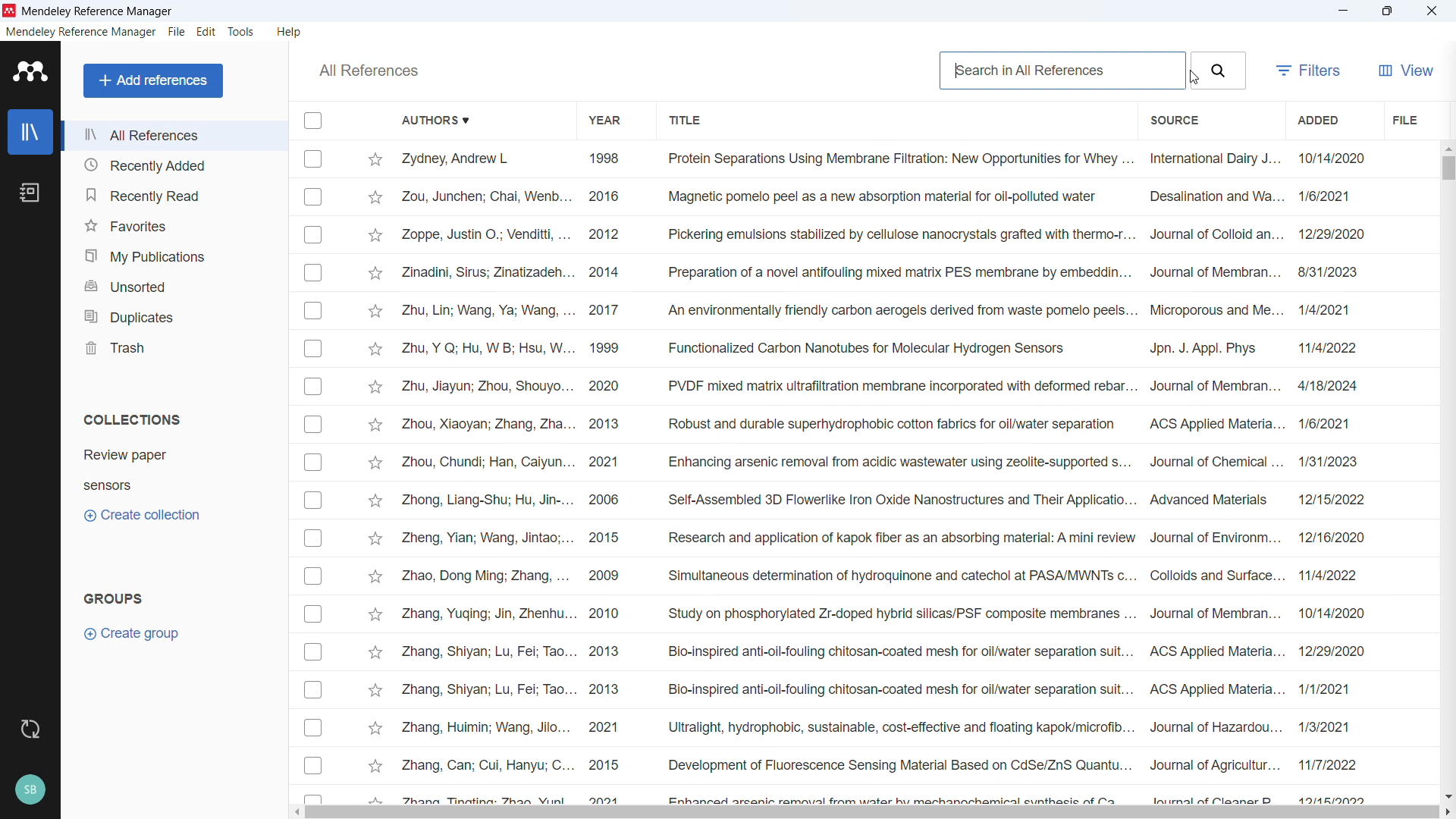 The height and width of the screenshot is (819, 1456). Describe the element at coordinates (177, 32) in the screenshot. I see `file` at that location.